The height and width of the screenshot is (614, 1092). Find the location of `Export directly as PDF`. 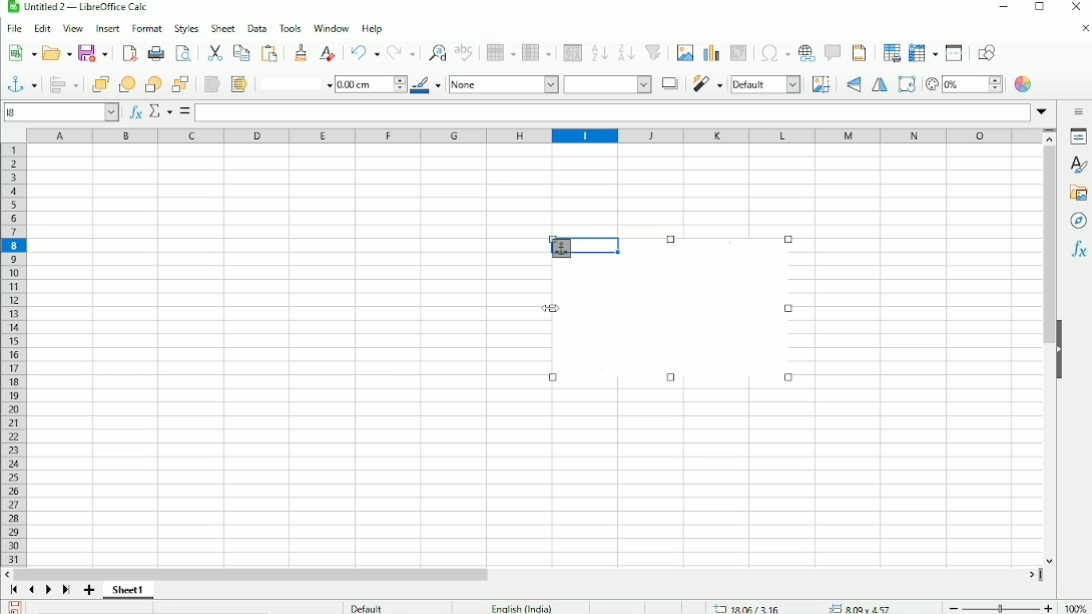

Export directly as PDF is located at coordinates (128, 54).